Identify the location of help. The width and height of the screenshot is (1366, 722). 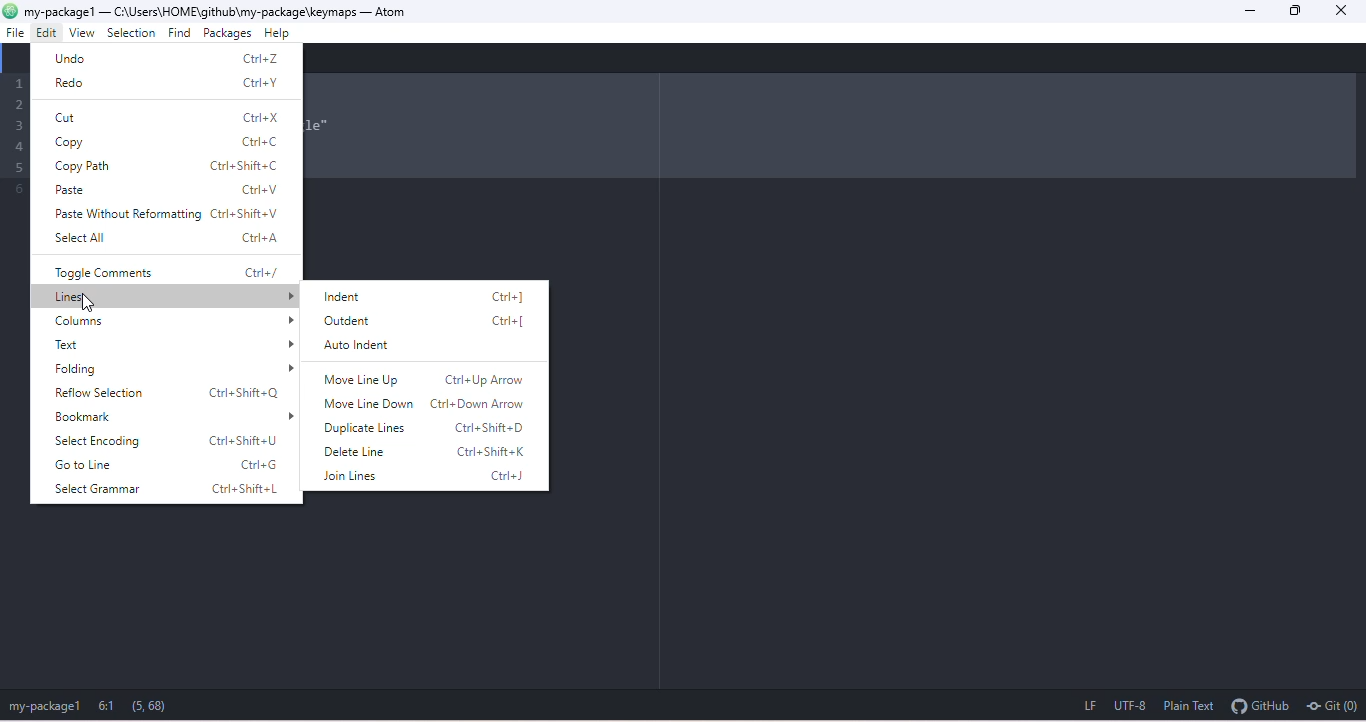
(285, 30).